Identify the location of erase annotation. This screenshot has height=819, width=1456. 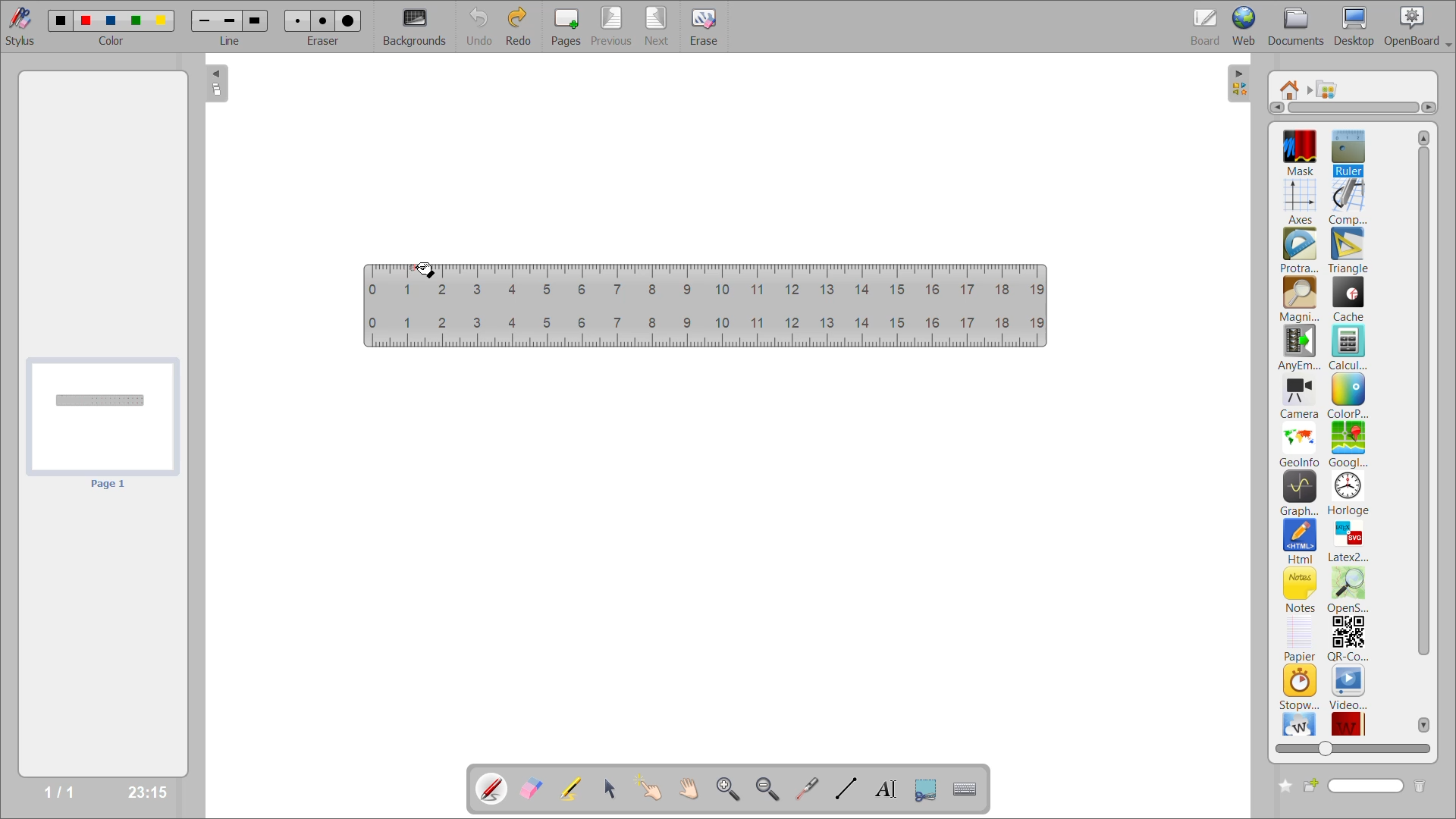
(533, 789).